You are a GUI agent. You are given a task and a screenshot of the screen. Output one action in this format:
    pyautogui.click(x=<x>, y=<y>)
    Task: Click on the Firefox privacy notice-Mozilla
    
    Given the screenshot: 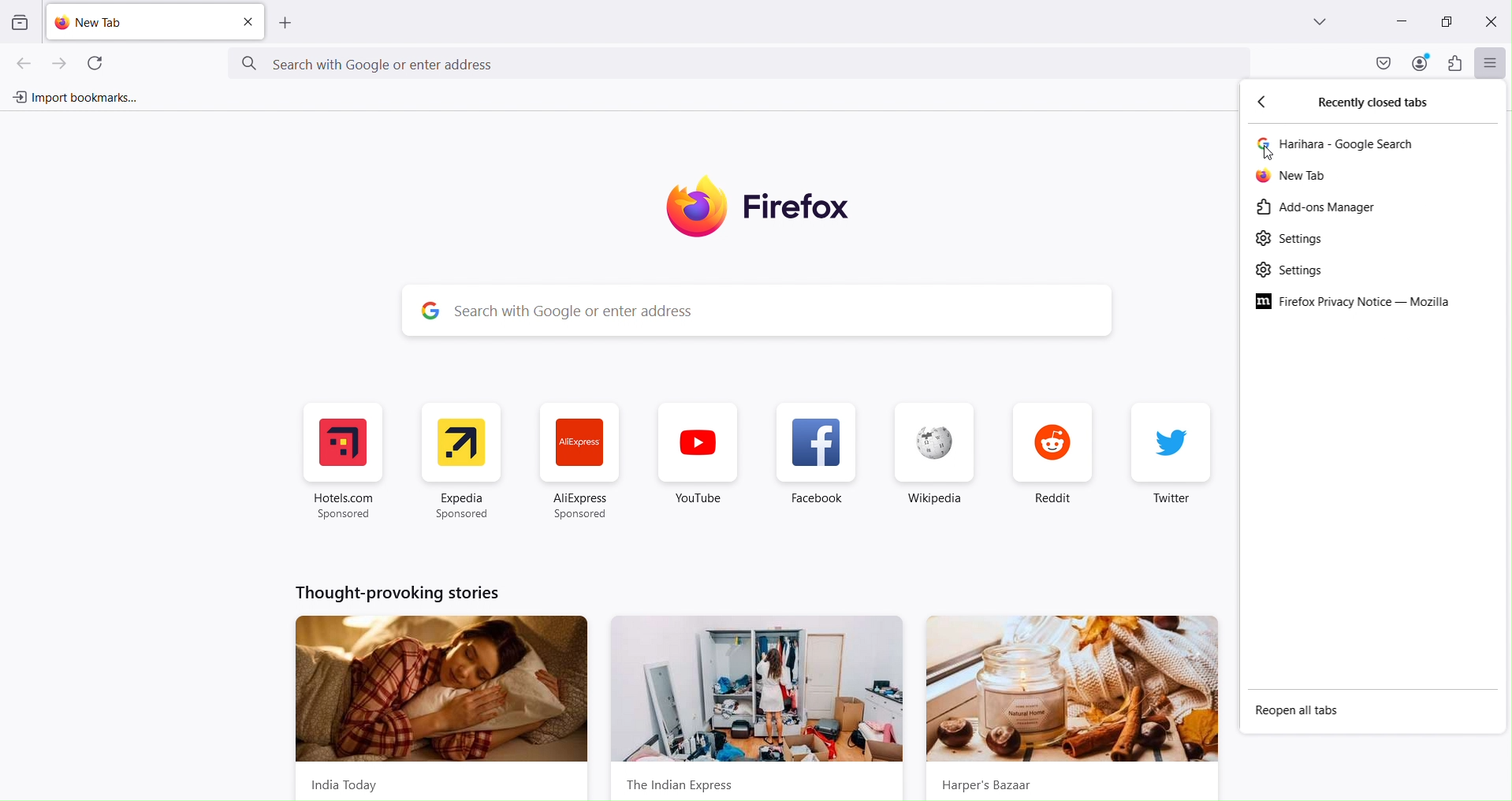 What is the action you would take?
    pyautogui.click(x=1355, y=302)
    